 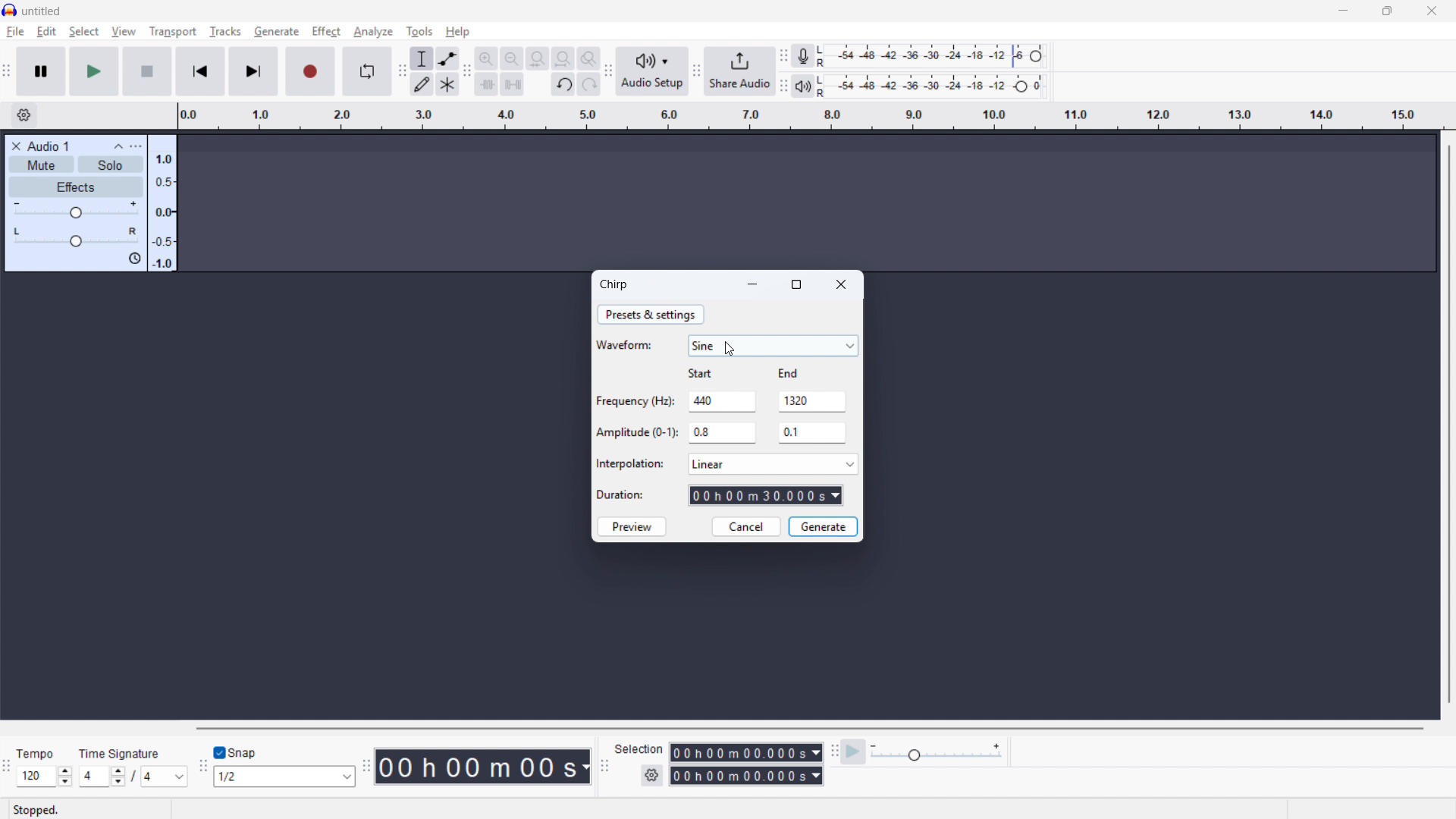 I want to click on Selection end time, so click(x=746, y=776).